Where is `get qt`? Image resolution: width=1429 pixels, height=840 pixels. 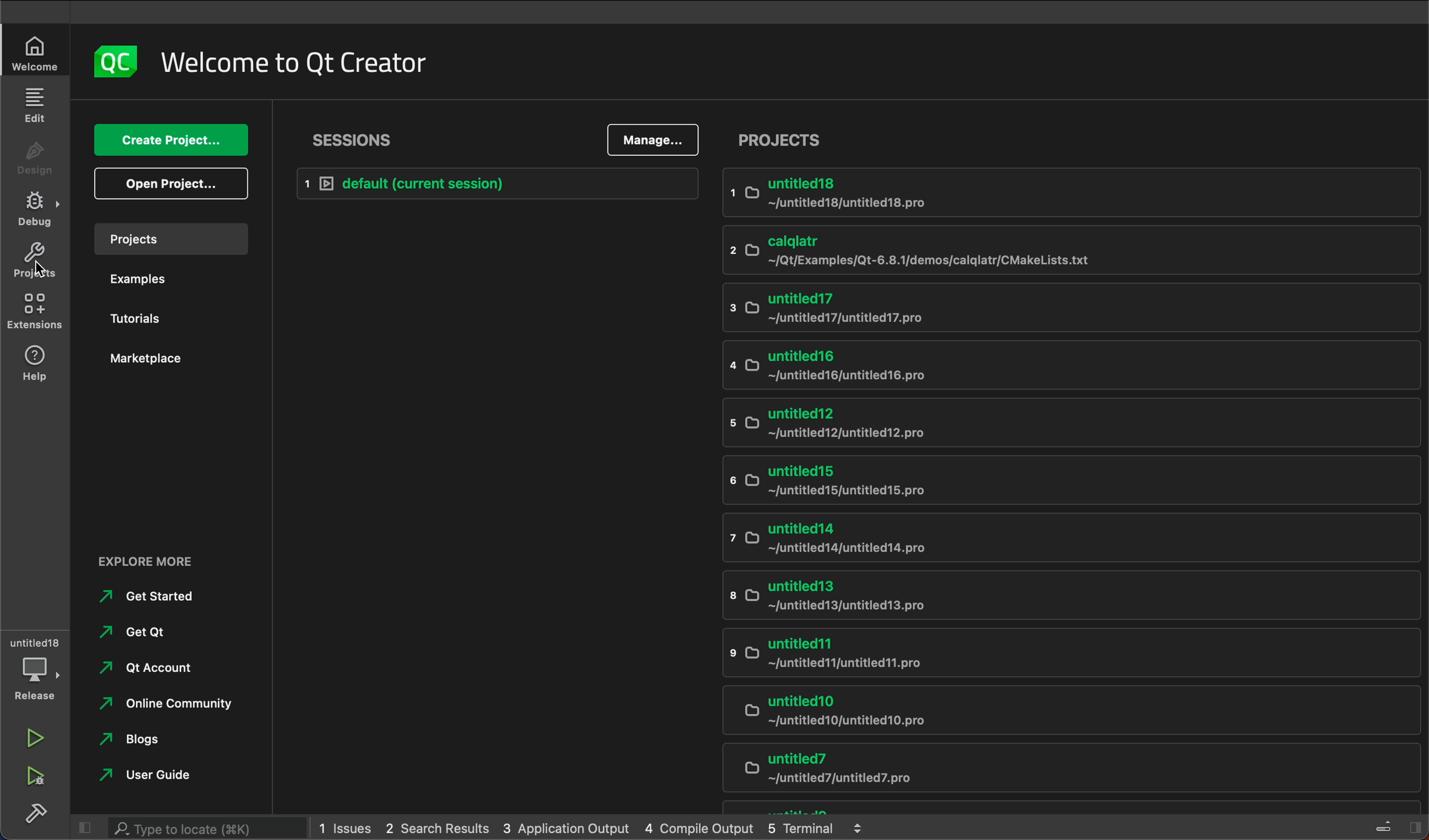 get qt is located at coordinates (162, 631).